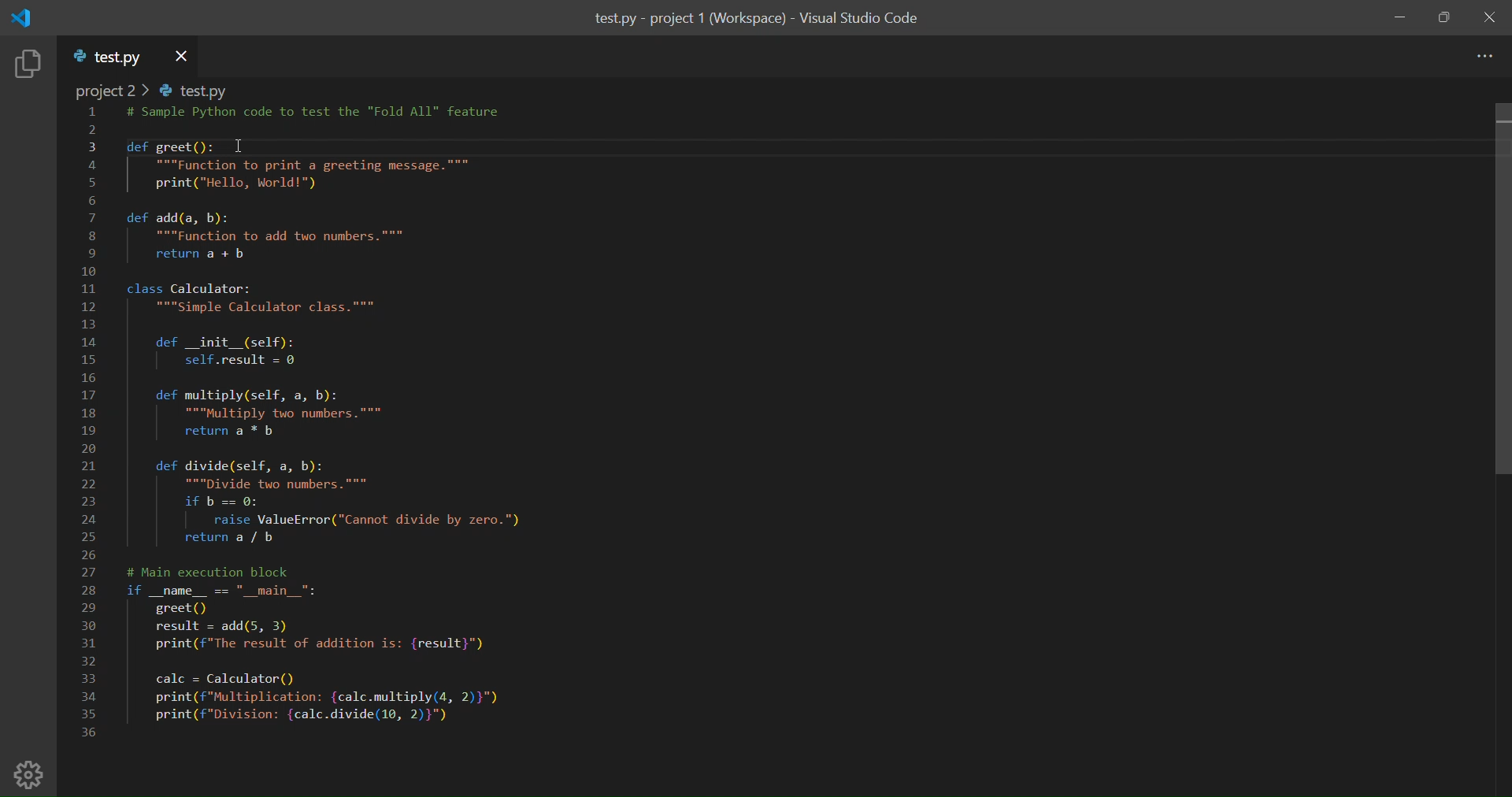  What do you see at coordinates (1492, 17) in the screenshot?
I see `close` at bounding box center [1492, 17].